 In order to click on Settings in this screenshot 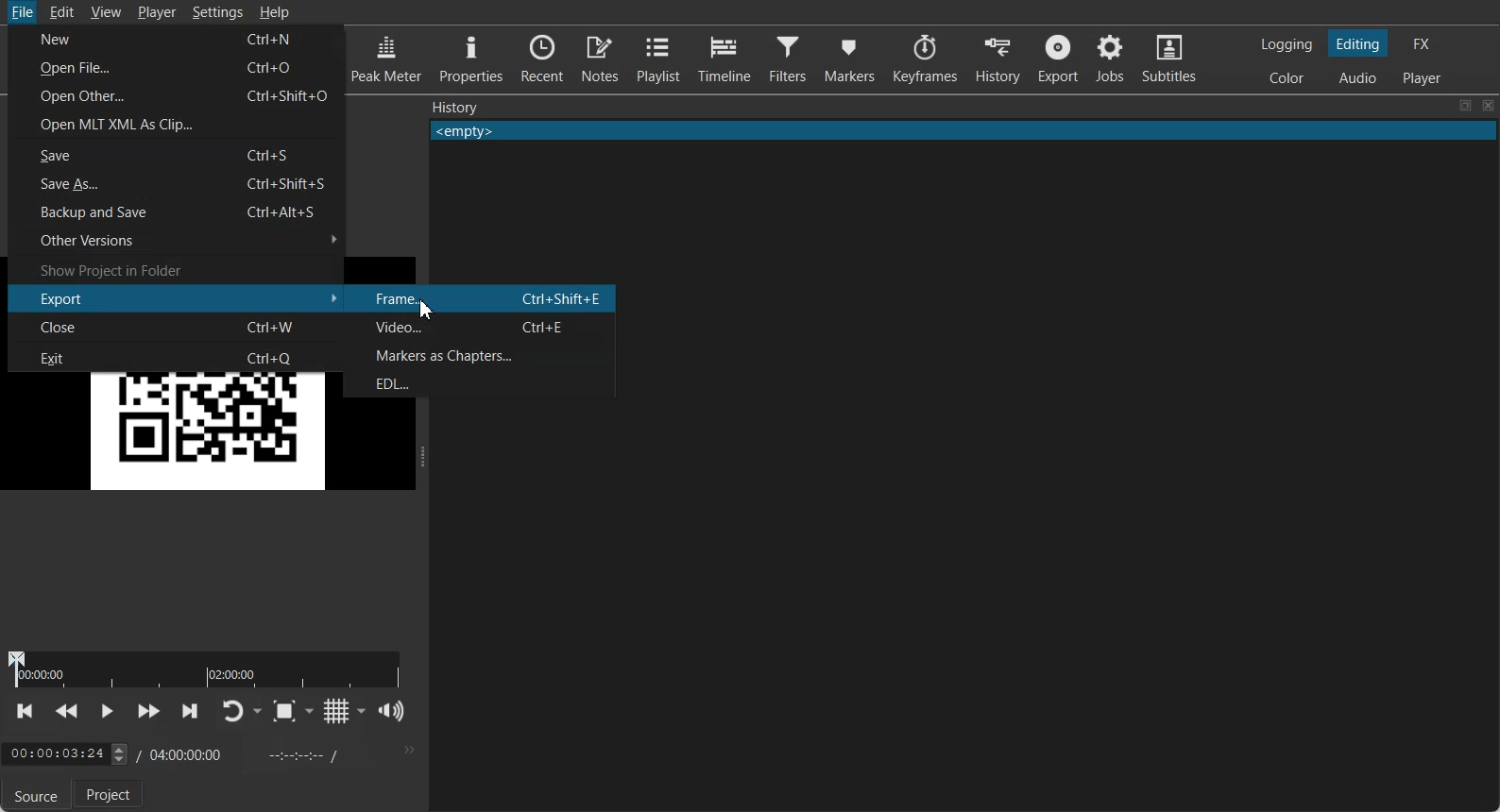, I will do `click(218, 12)`.